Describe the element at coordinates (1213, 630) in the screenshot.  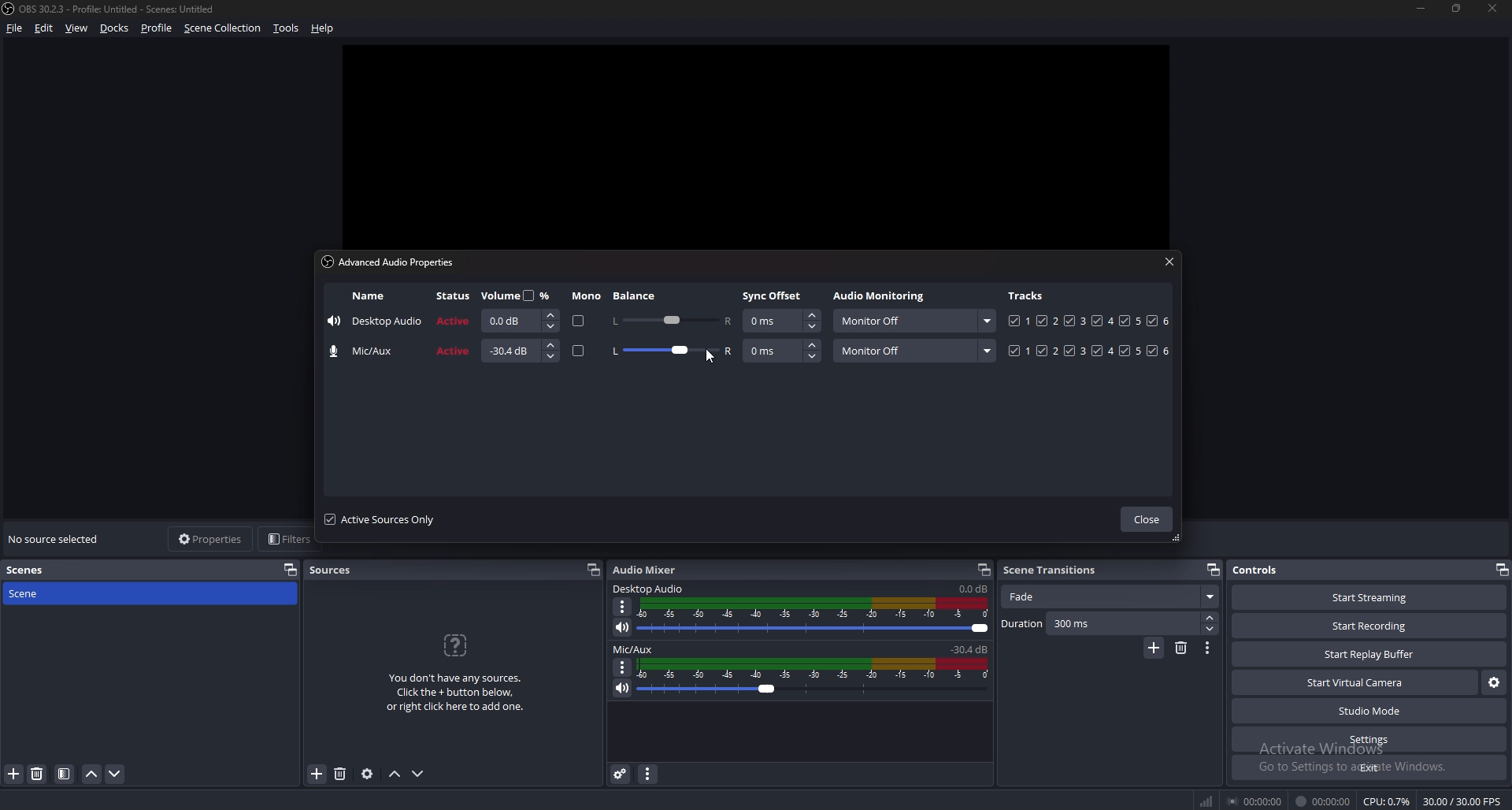
I see `decrease duration` at that location.